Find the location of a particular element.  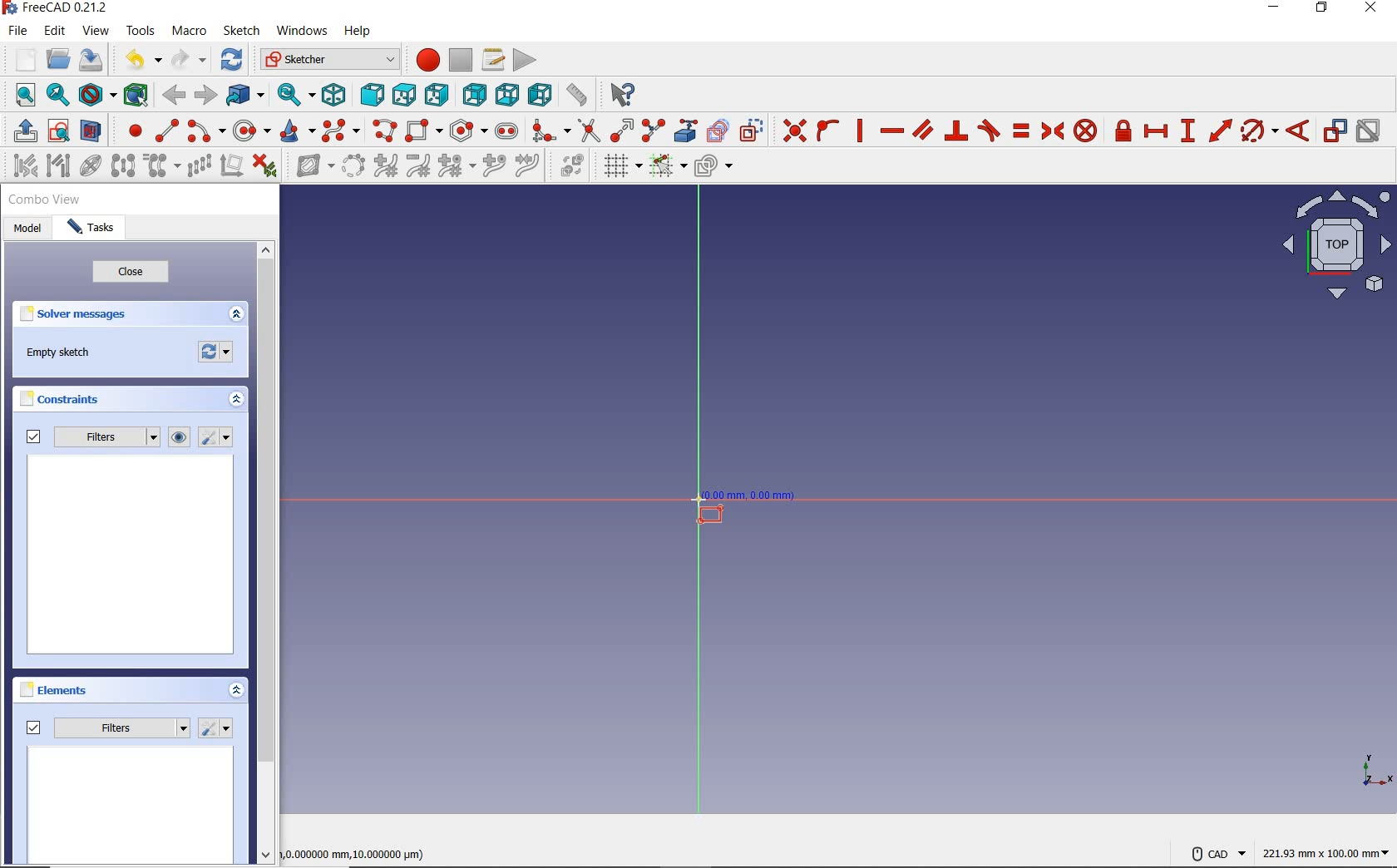

bottom is located at coordinates (506, 94).